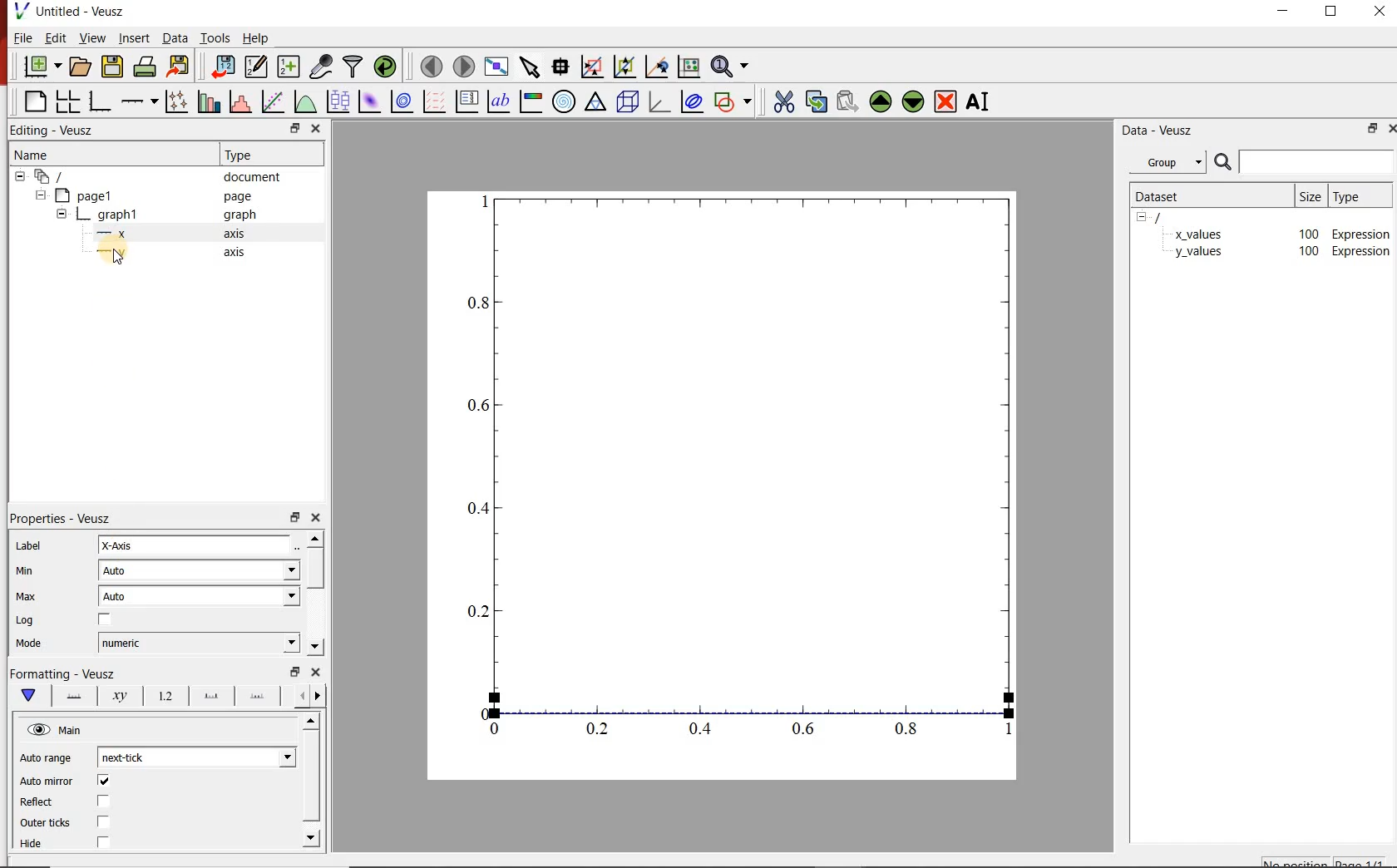 Image resolution: width=1397 pixels, height=868 pixels. I want to click on cut the selected widget, so click(785, 103).